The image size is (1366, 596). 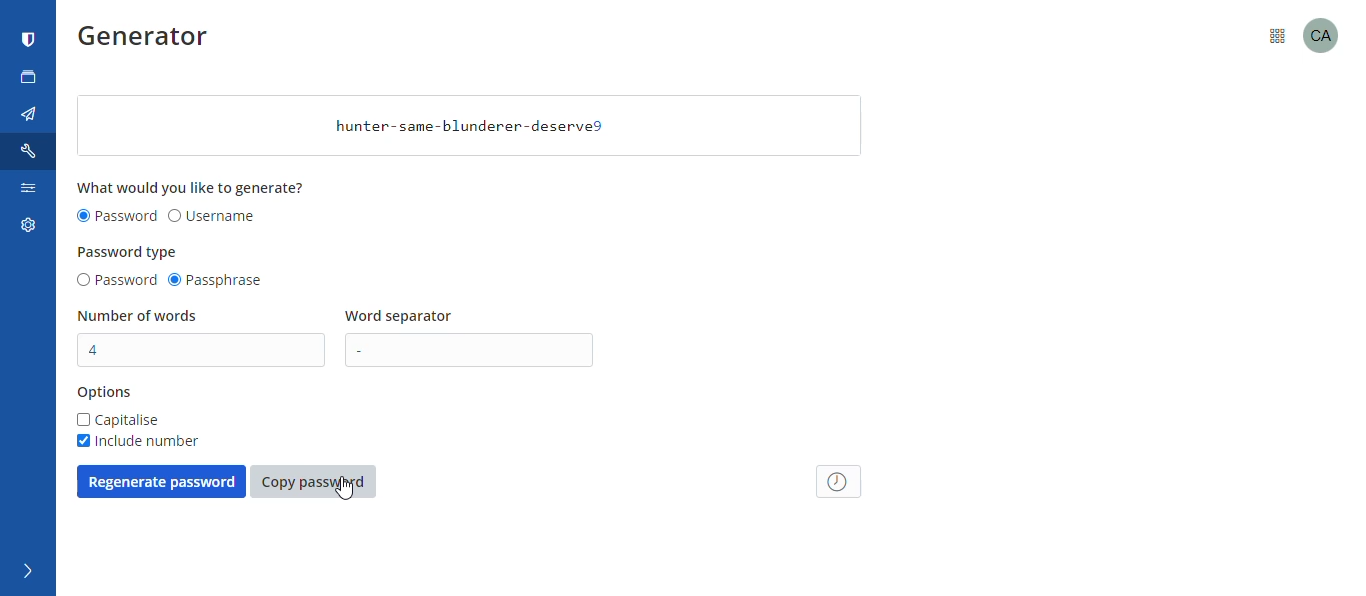 What do you see at coordinates (219, 281) in the screenshot?
I see `passphrase radio button` at bounding box center [219, 281].